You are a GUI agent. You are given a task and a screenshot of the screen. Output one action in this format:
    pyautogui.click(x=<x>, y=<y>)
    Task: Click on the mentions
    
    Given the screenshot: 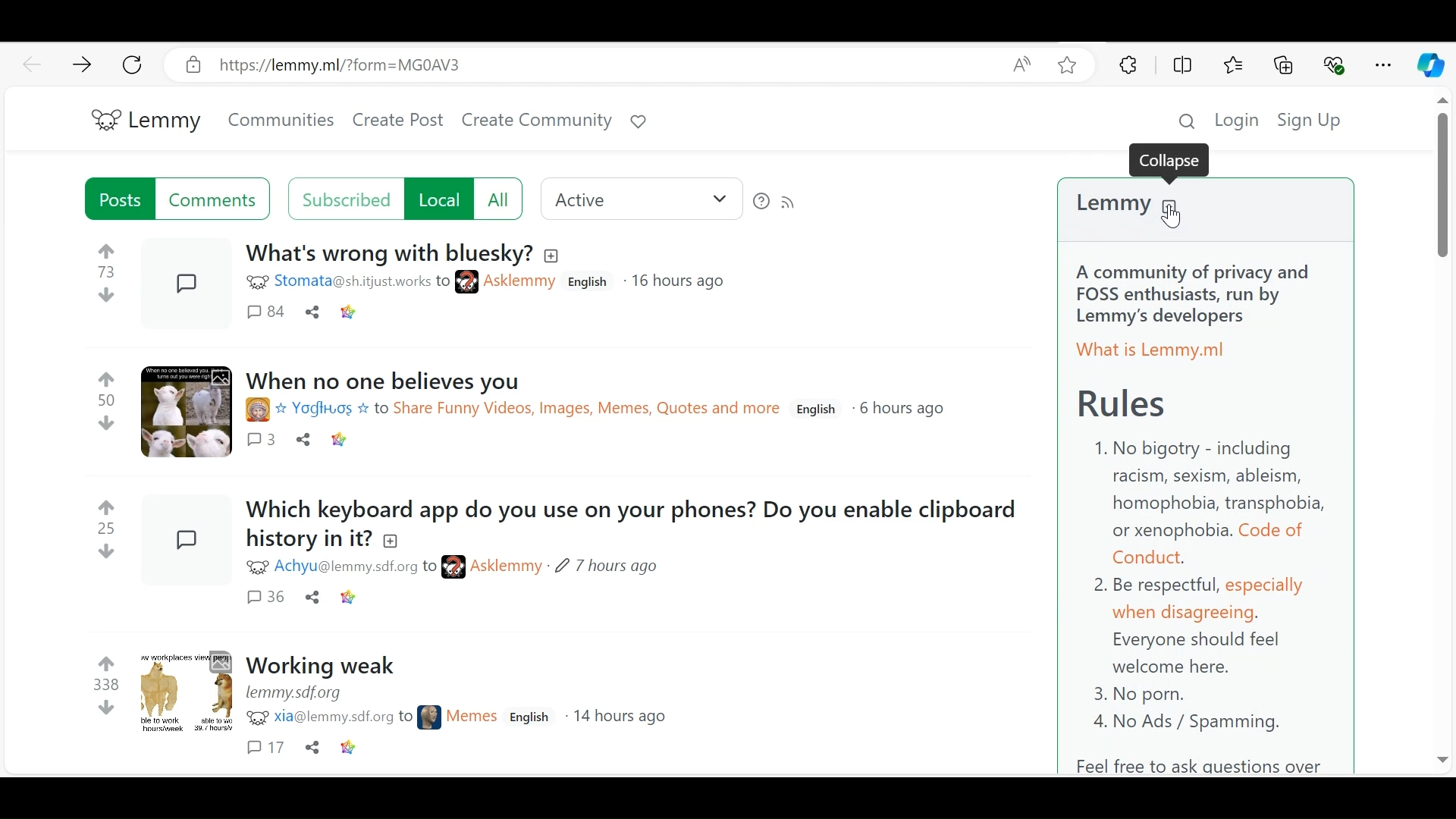 What is the action you would take?
    pyautogui.click(x=356, y=567)
    